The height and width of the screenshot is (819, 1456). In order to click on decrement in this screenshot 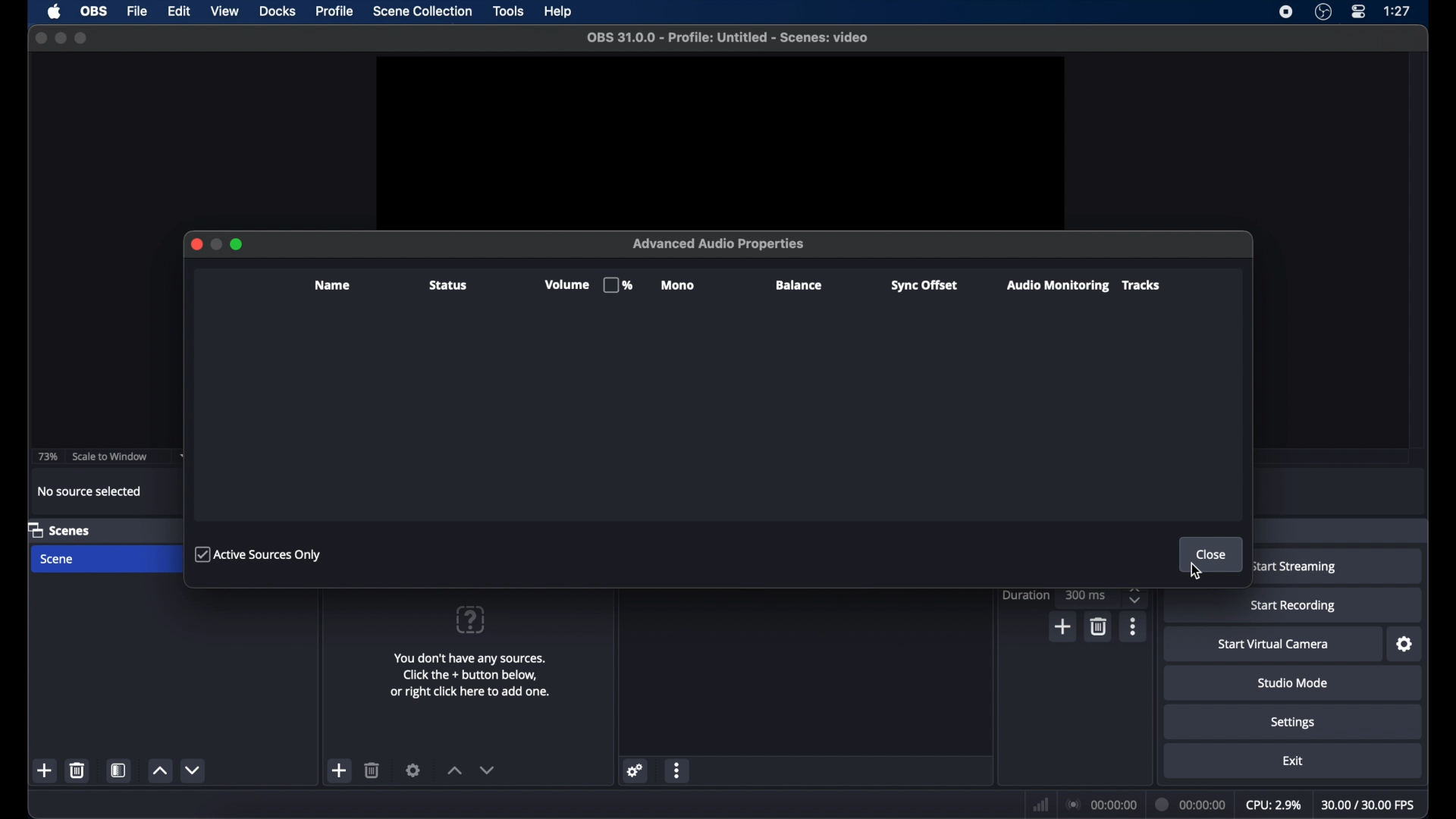, I will do `click(488, 770)`.